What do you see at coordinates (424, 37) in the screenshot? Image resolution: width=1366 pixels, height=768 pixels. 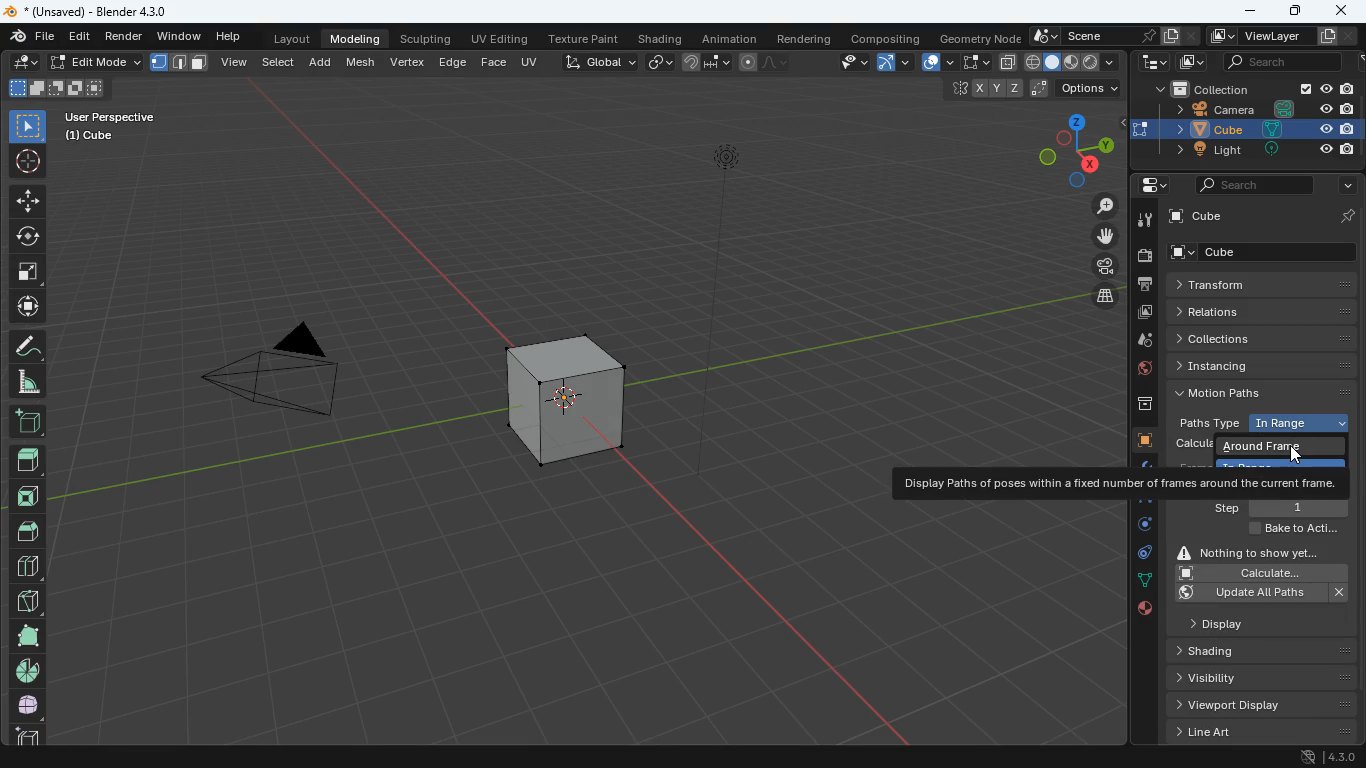 I see `sculpting` at bounding box center [424, 37].